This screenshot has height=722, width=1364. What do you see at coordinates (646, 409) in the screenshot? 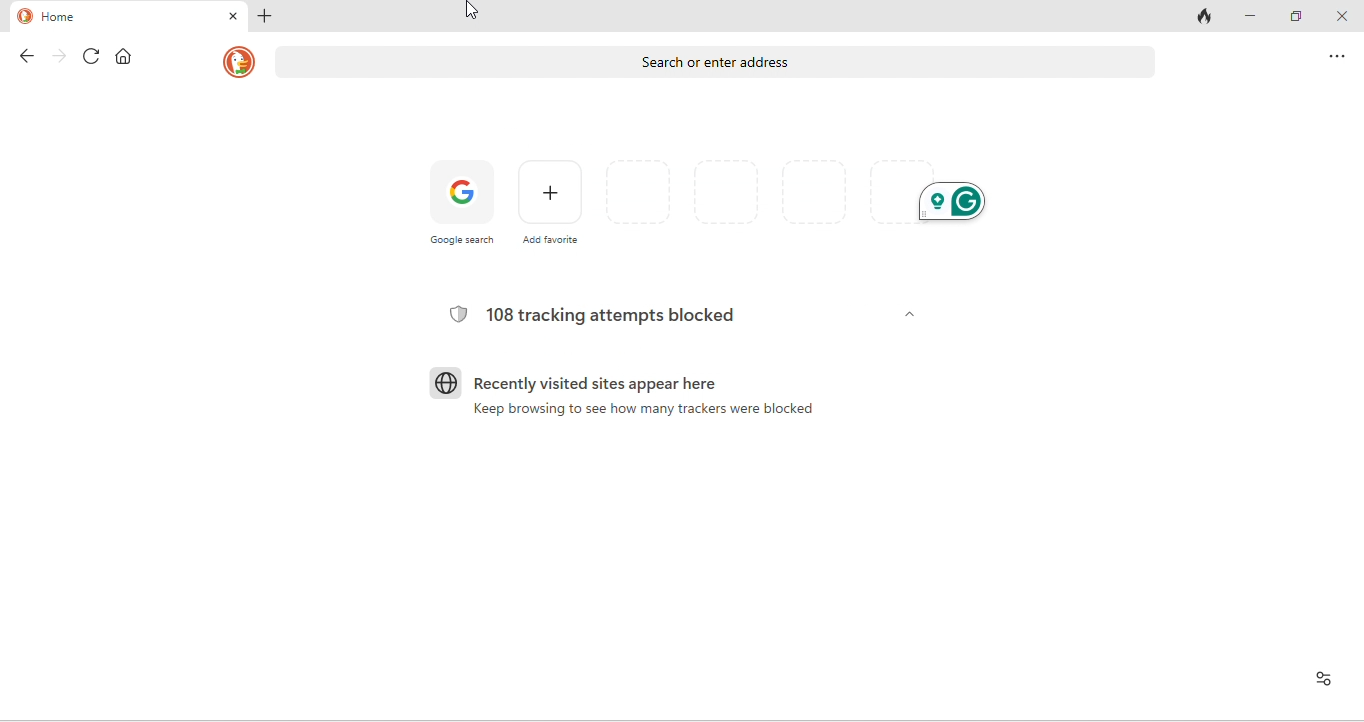
I see `Keep browsing to see how many trackers were blocked` at bounding box center [646, 409].